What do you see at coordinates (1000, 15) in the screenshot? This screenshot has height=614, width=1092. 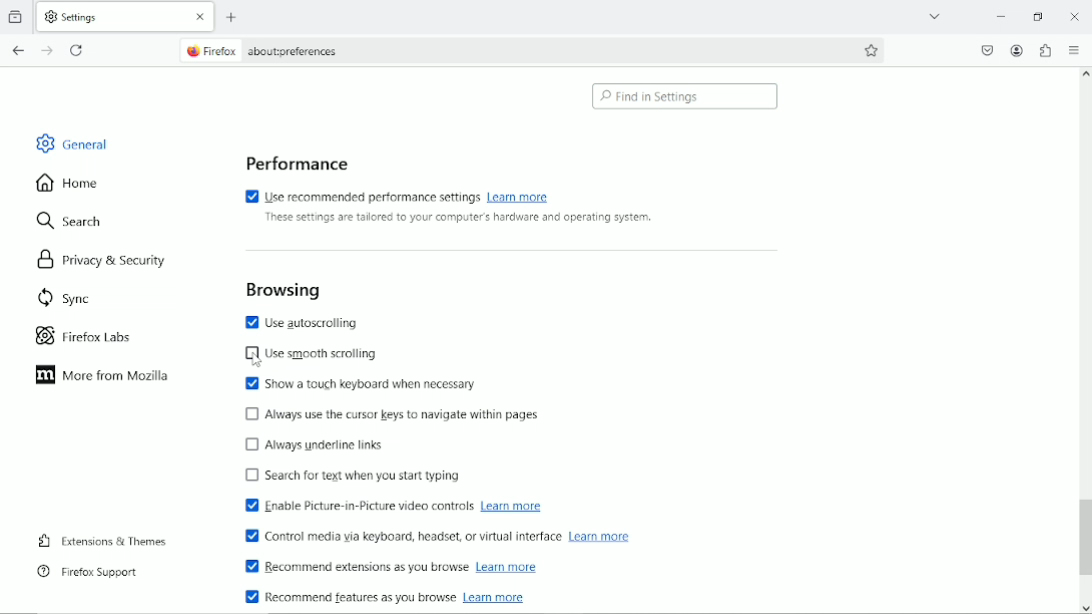 I see `minimize` at bounding box center [1000, 15].